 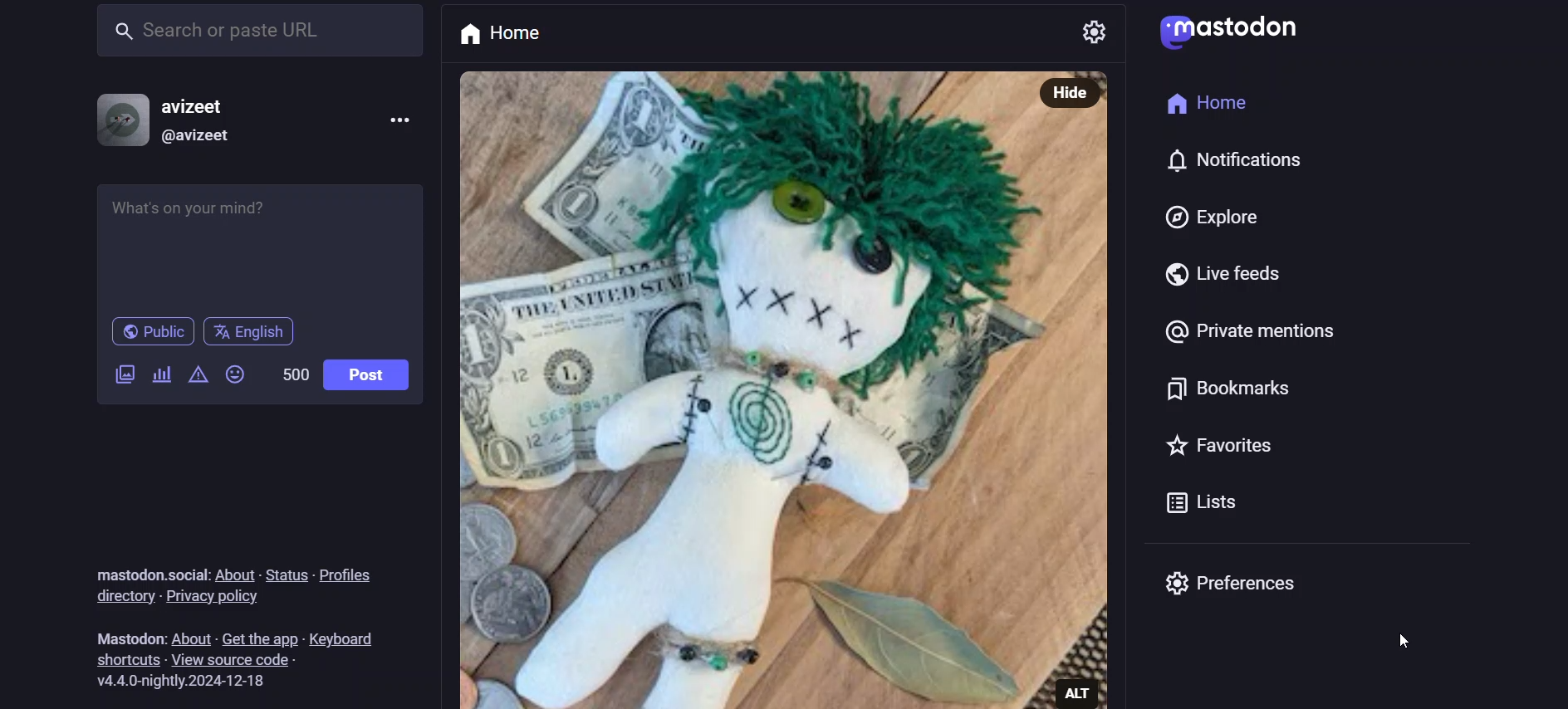 I want to click on status, so click(x=287, y=576).